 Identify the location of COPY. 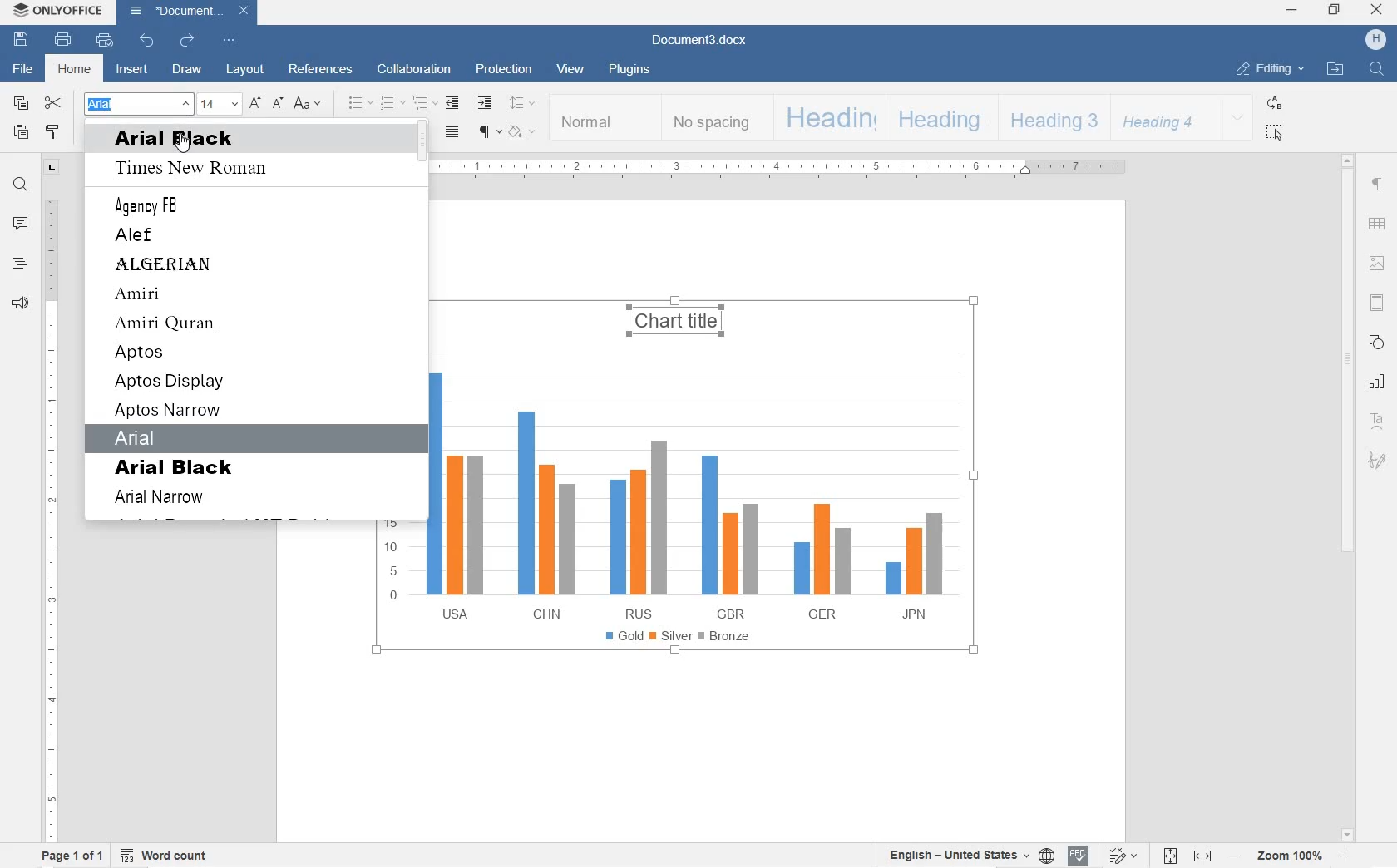
(20, 104).